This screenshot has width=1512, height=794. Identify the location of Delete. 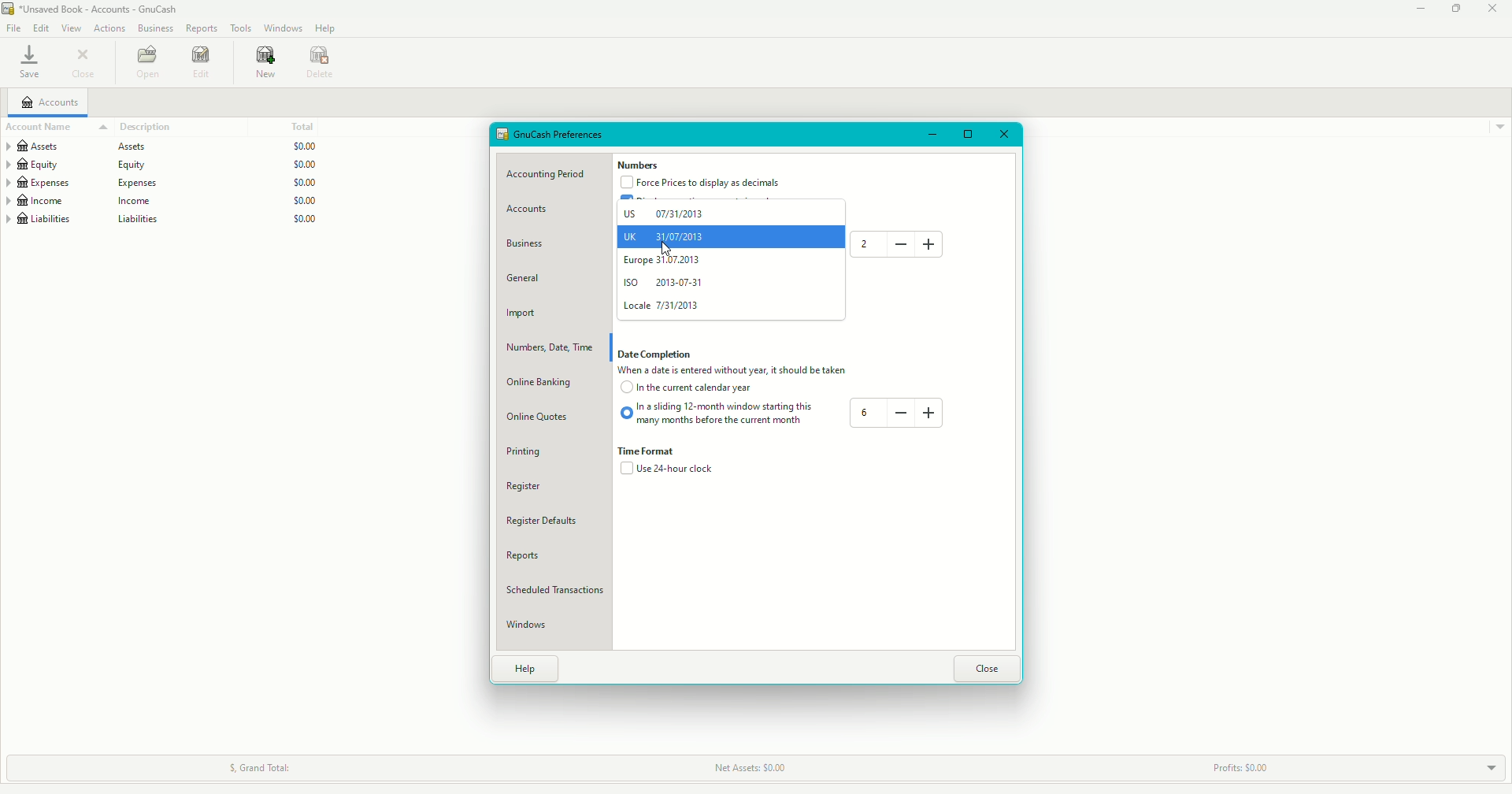
(320, 61).